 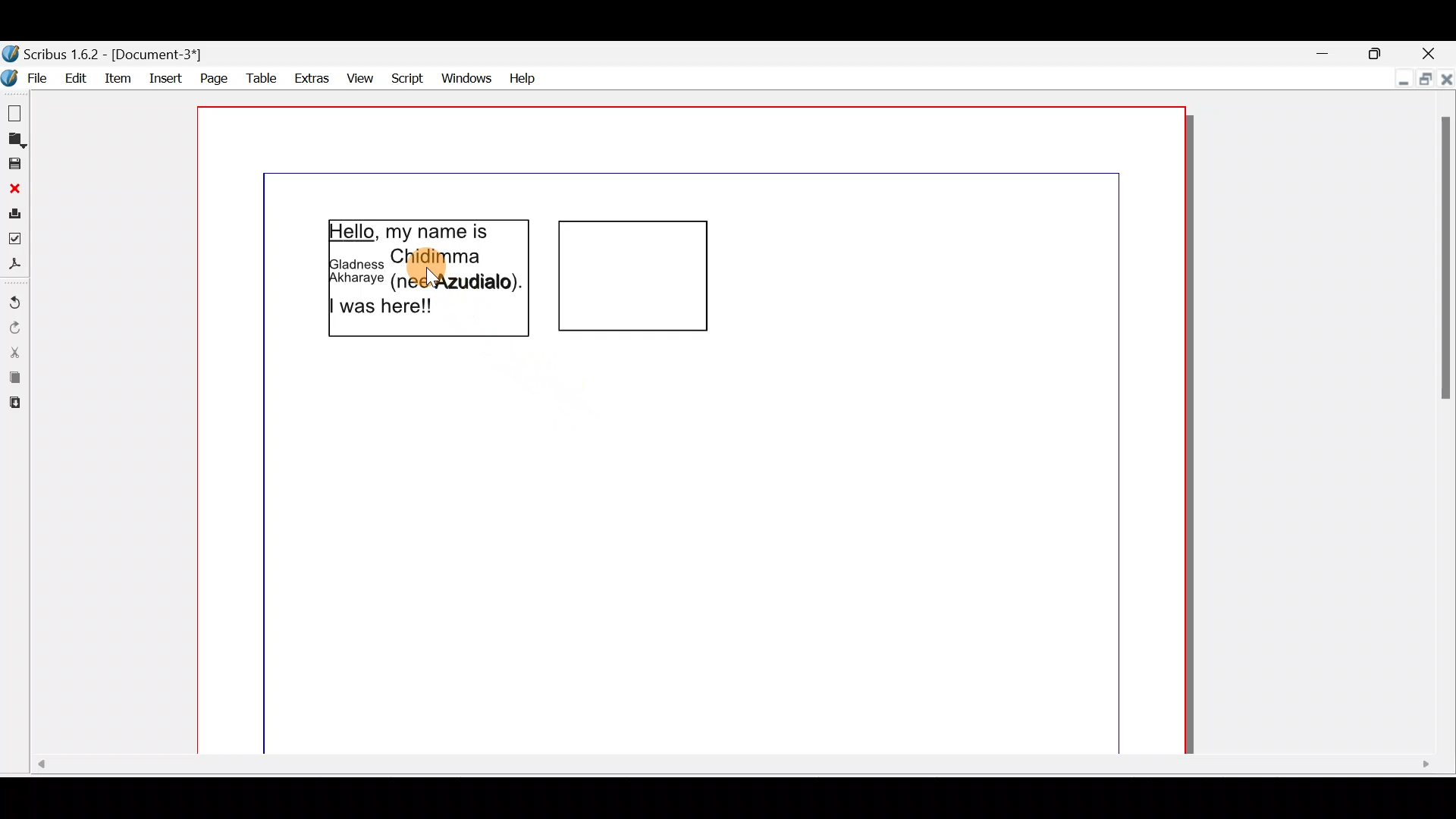 I want to click on Paste, so click(x=15, y=406).